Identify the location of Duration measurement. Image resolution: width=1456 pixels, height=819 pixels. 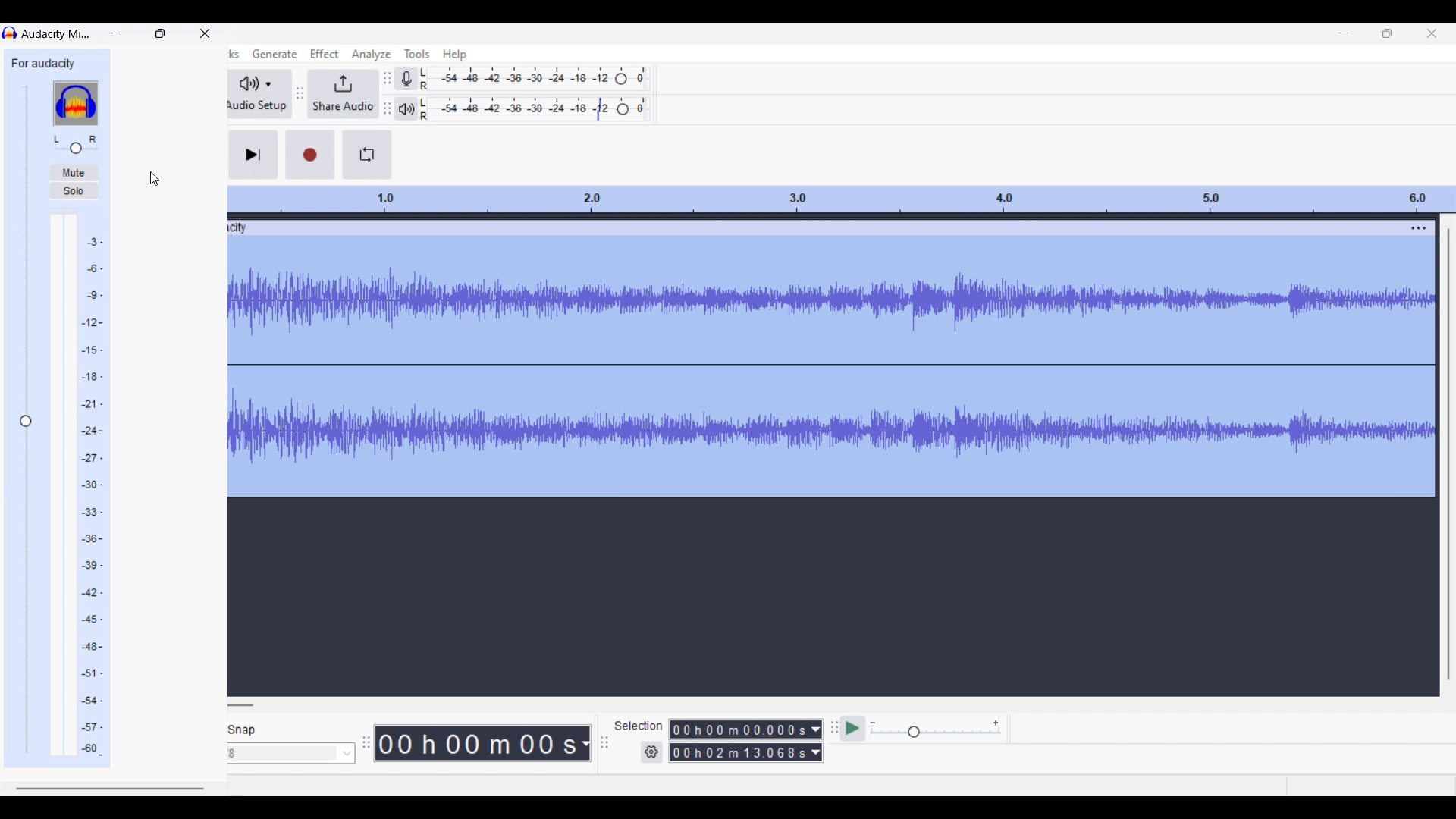
(585, 743).